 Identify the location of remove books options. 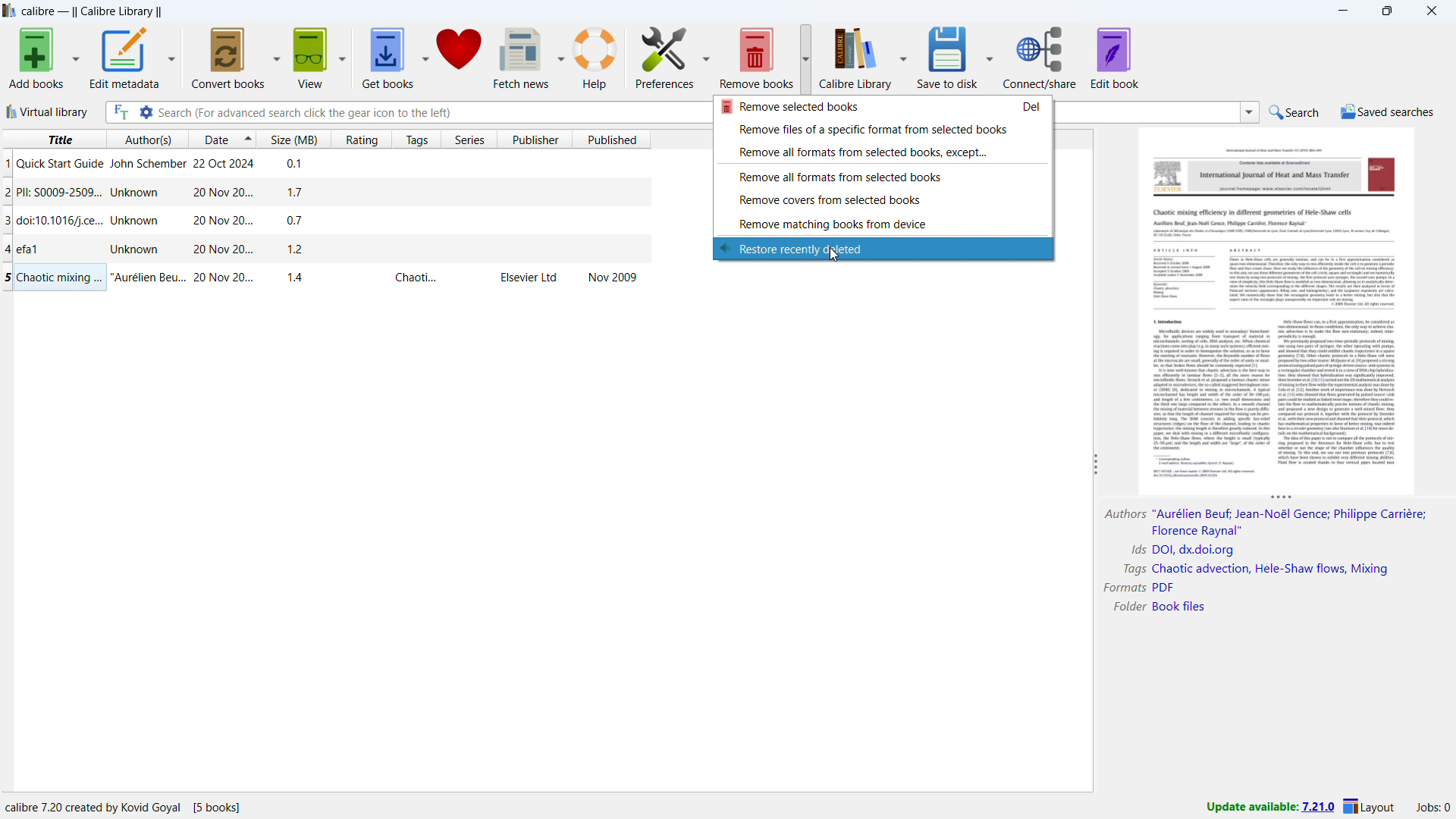
(807, 59).